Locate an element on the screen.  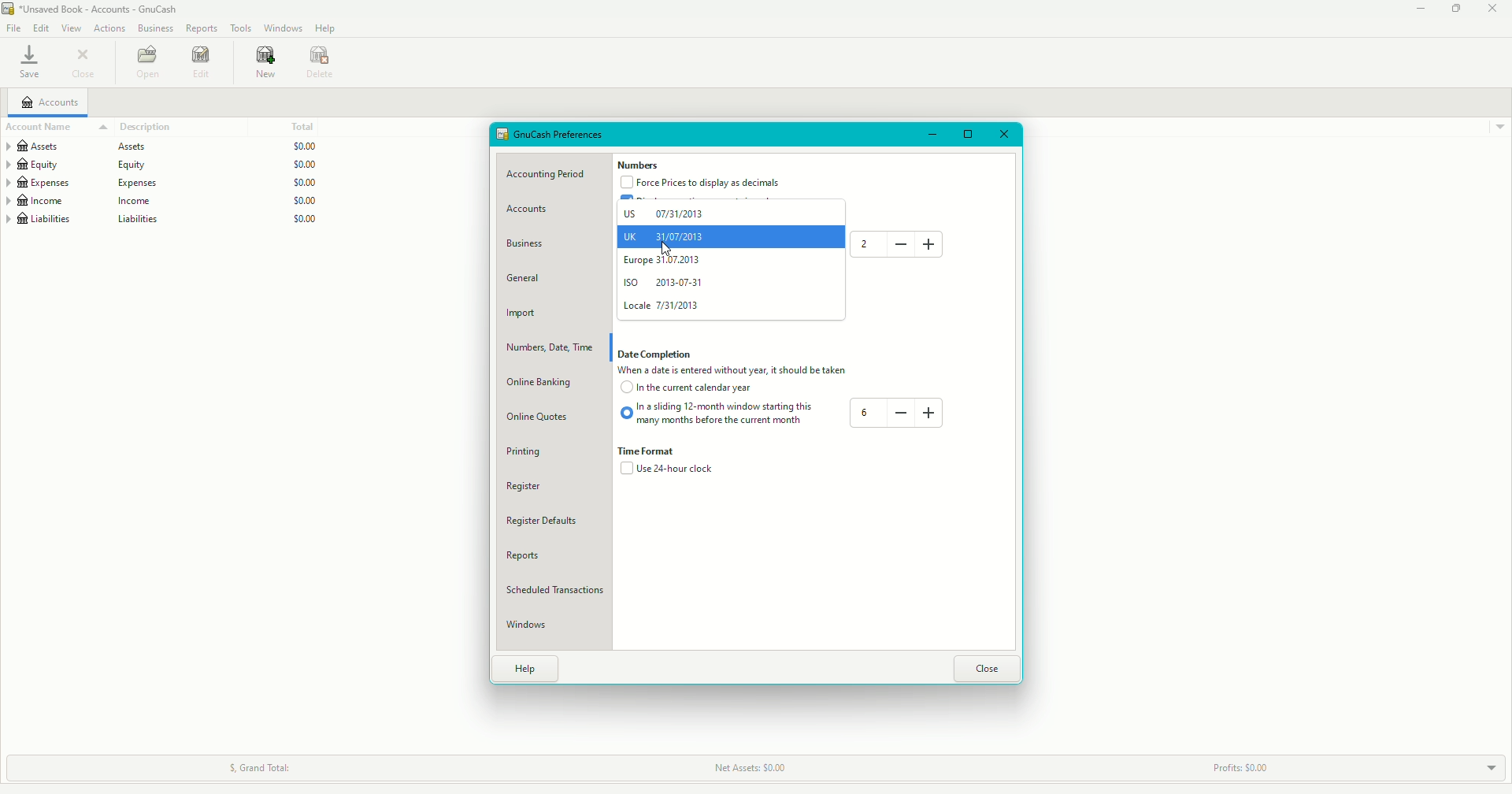
Sliding 12-month window is located at coordinates (720, 414).